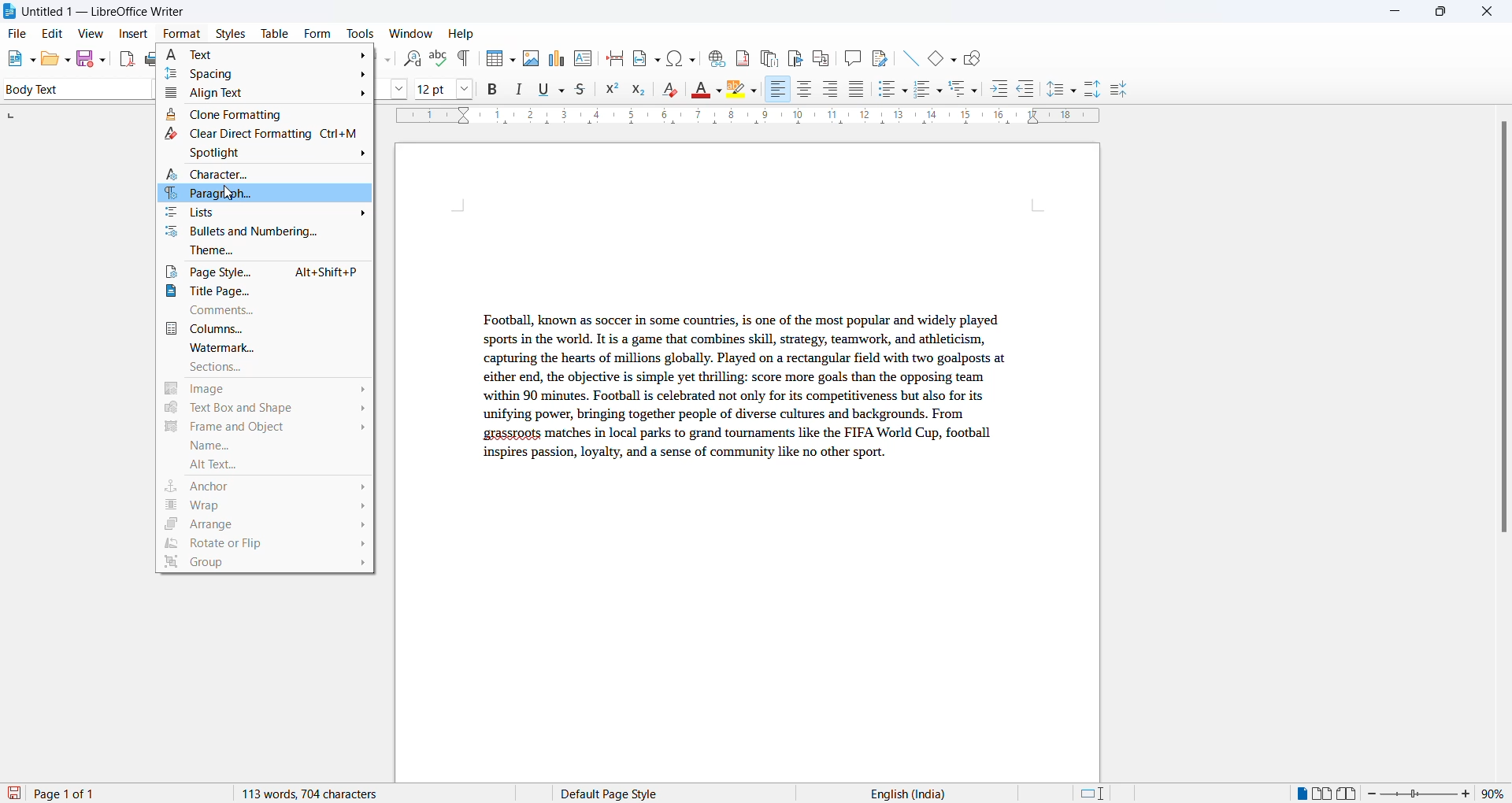 This screenshot has height=803, width=1512. What do you see at coordinates (552, 89) in the screenshot?
I see `underline` at bounding box center [552, 89].